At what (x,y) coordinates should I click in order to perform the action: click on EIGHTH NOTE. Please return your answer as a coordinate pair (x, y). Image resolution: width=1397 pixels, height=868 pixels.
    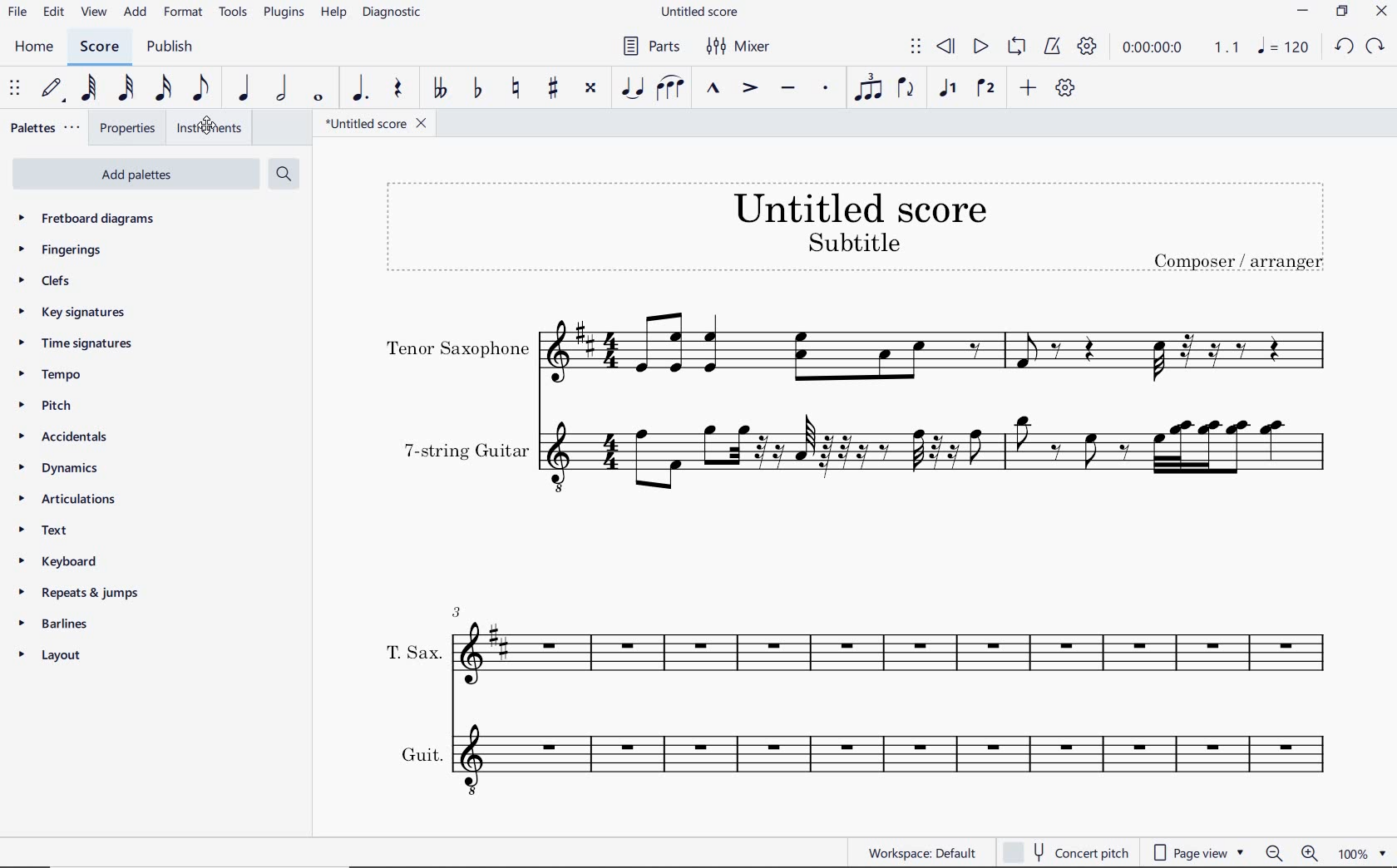
    Looking at the image, I should click on (202, 86).